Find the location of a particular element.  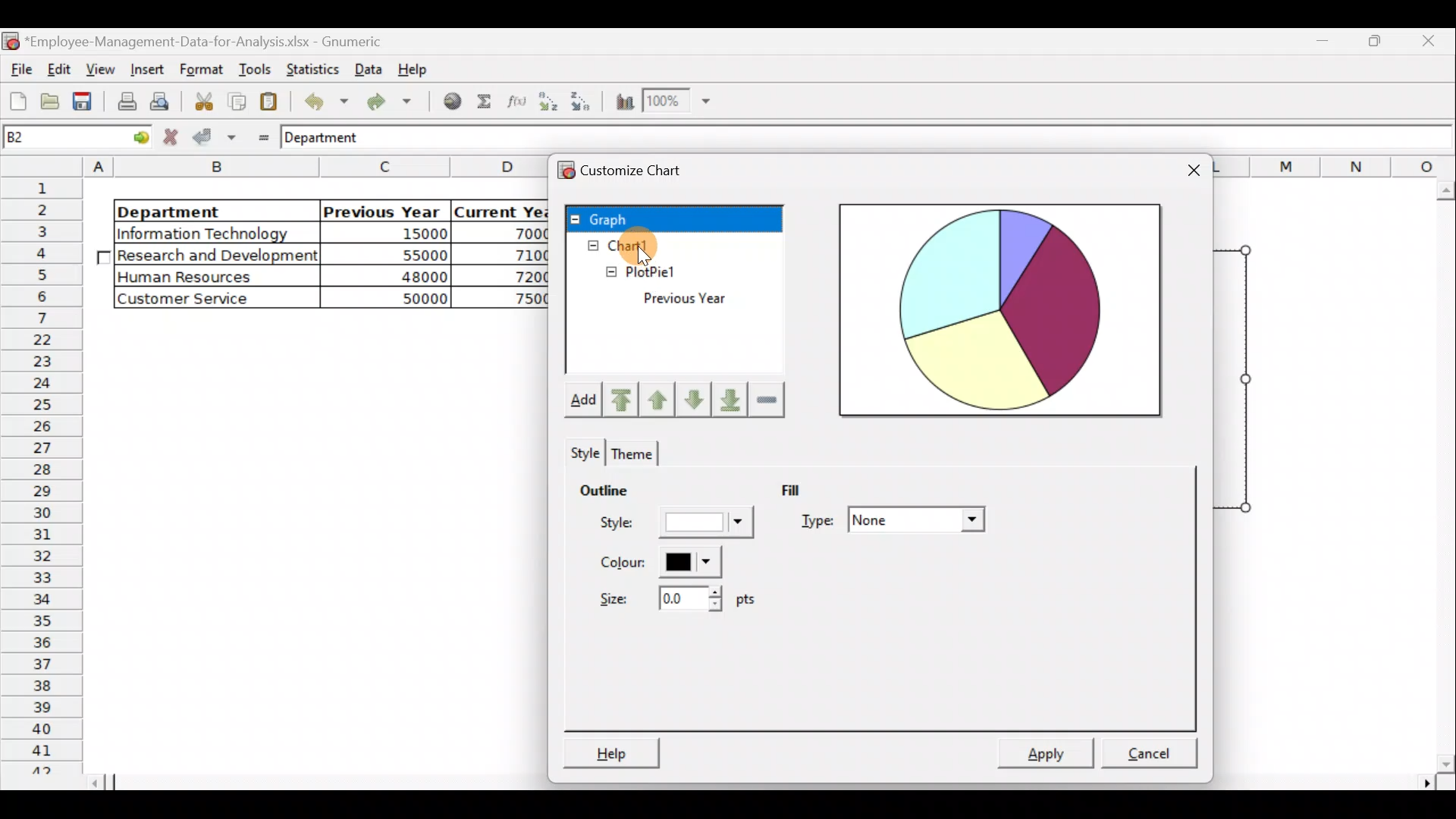

Edit a function in the current cell is located at coordinates (516, 101).